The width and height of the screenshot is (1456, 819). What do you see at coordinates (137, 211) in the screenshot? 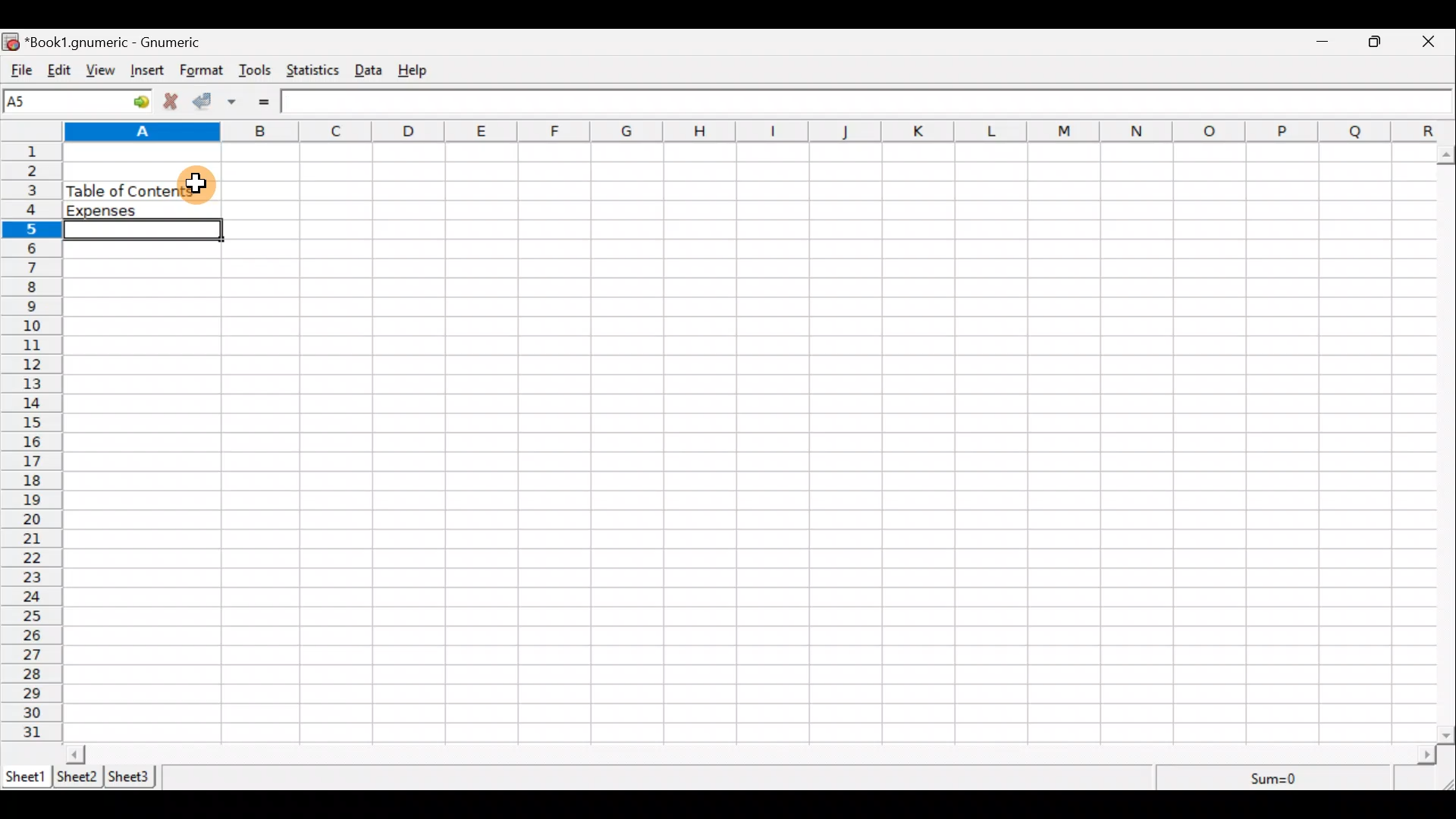
I see `Expenses` at bounding box center [137, 211].